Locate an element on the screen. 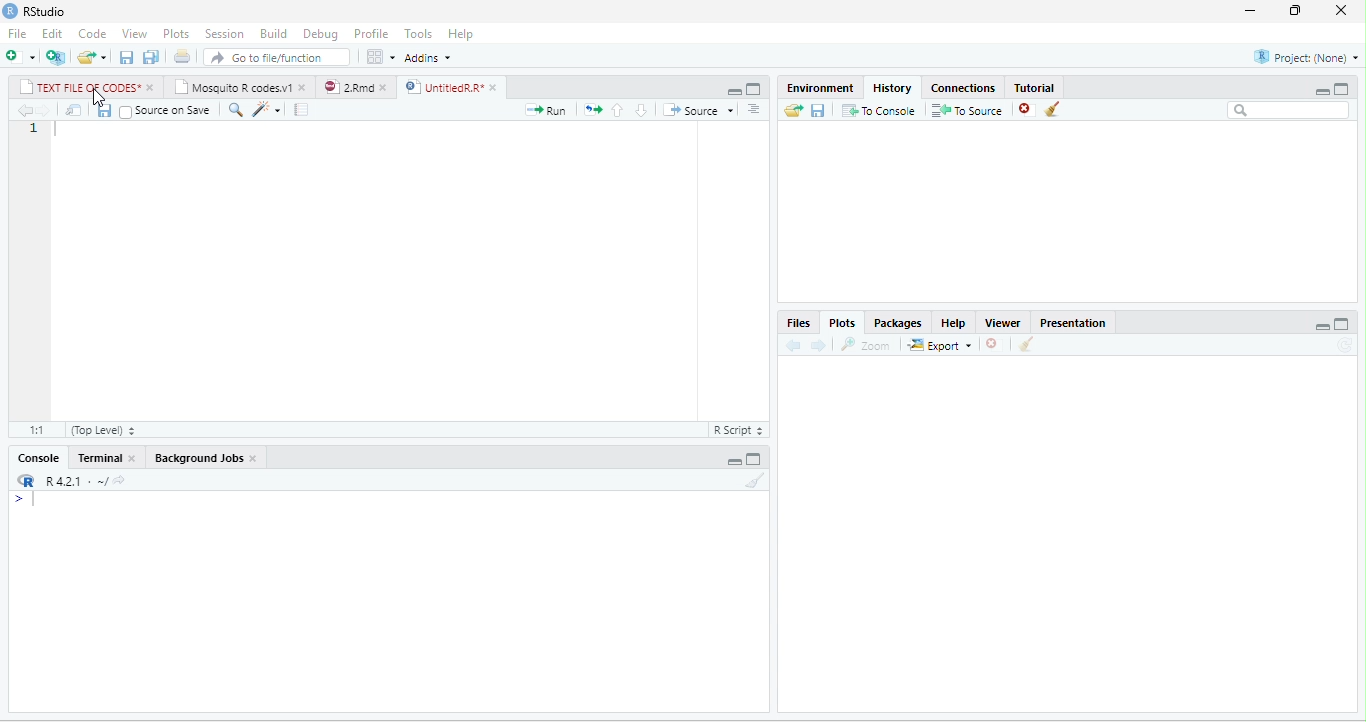 This screenshot has width=1366, height=722. save is located at coordinates (105, 110).